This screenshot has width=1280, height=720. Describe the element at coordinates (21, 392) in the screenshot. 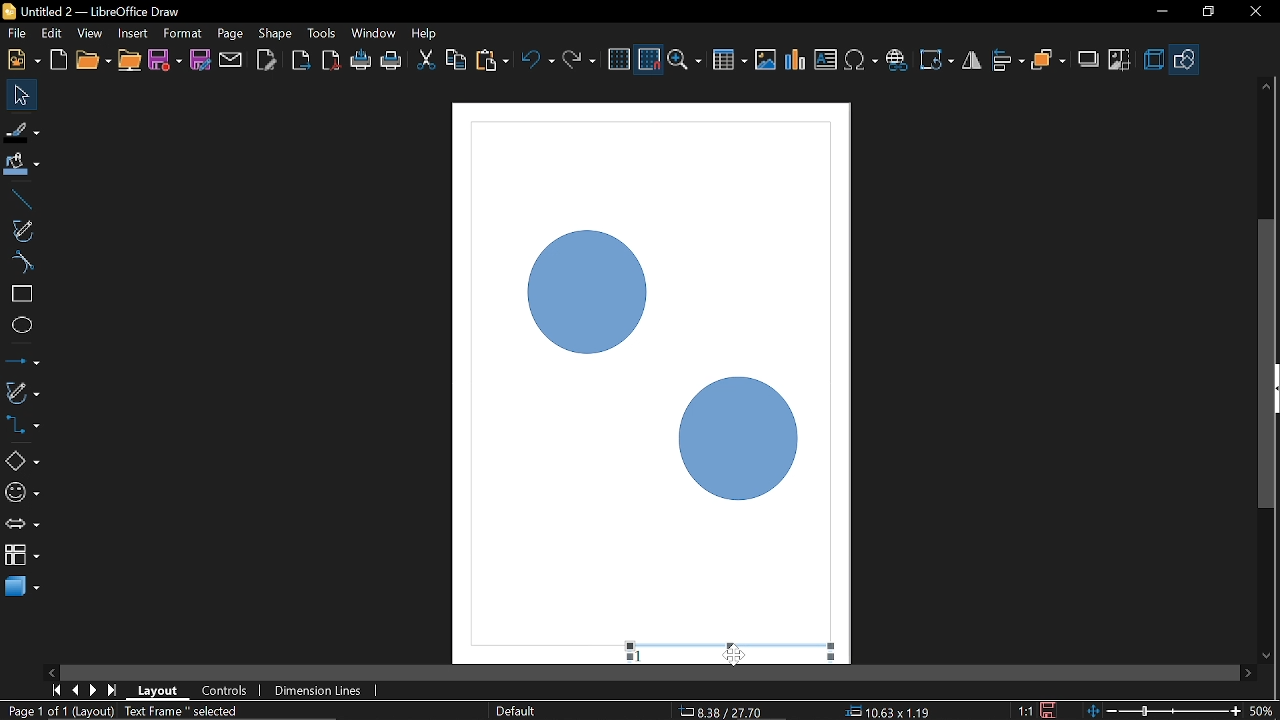

I see `Curves and polygons` at that location.